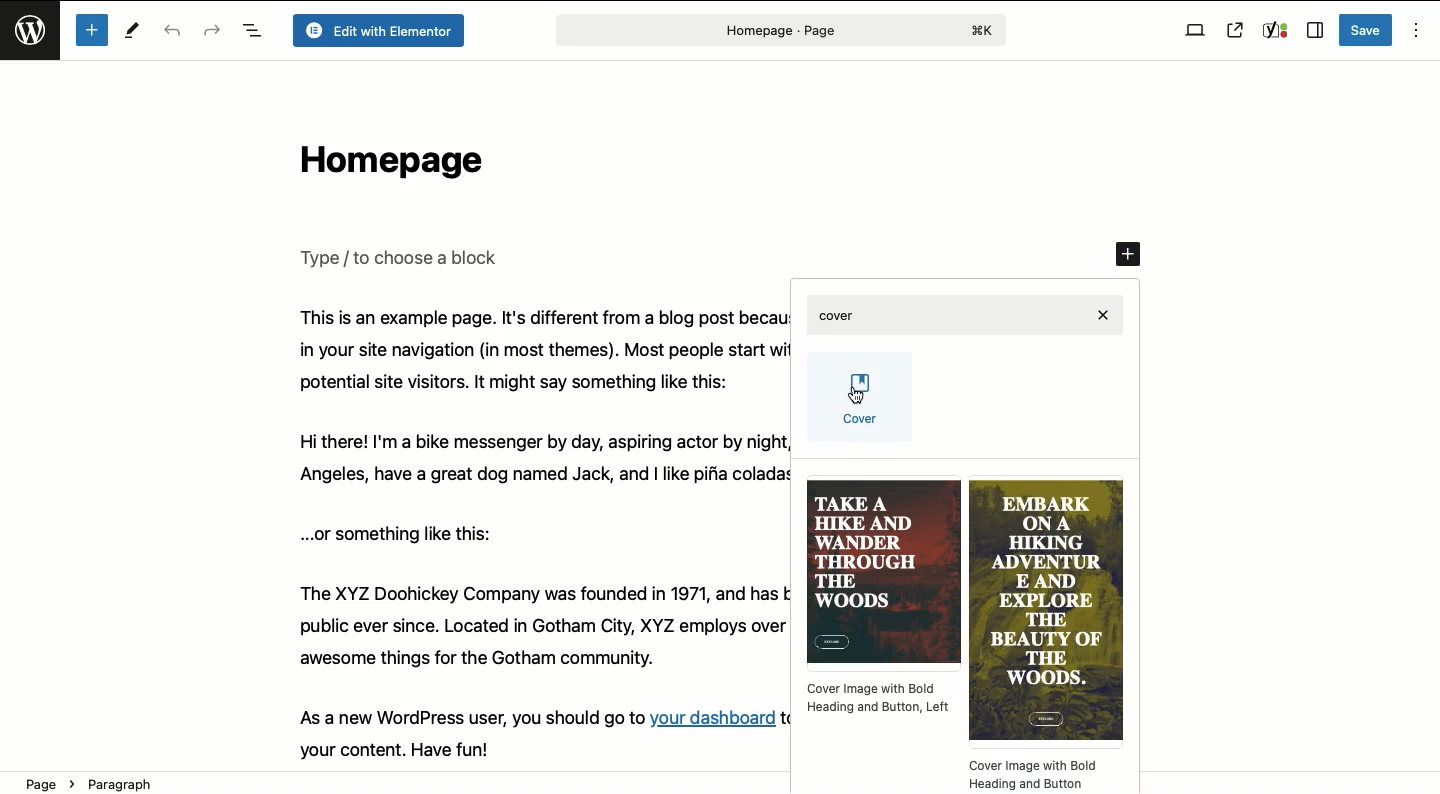  What do you see at coordinates (1235, 30) in the screenshot?
I see `View page` at bounding box center [1235, 30].